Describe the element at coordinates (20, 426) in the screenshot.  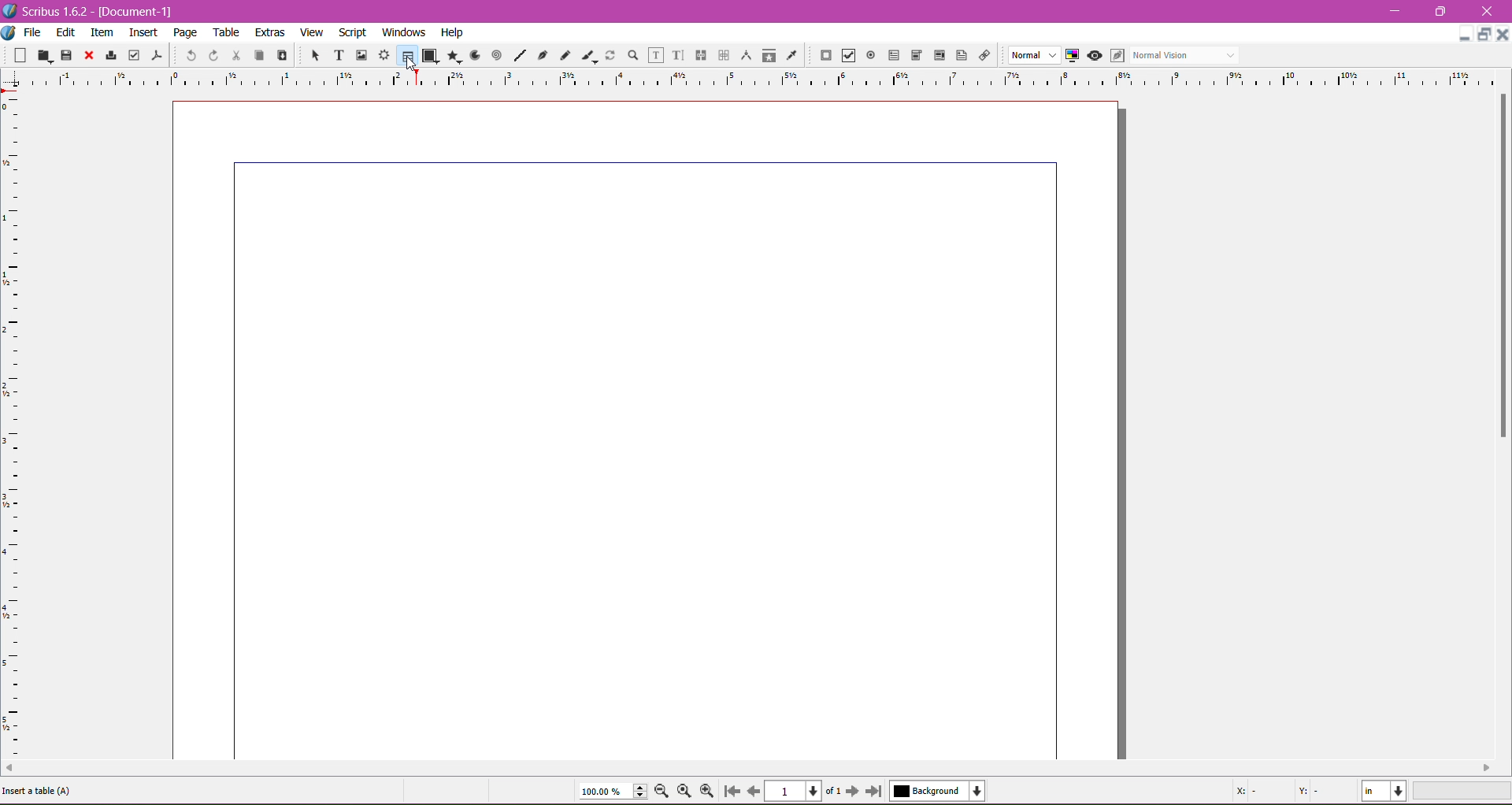
I see `Grid` at that location.